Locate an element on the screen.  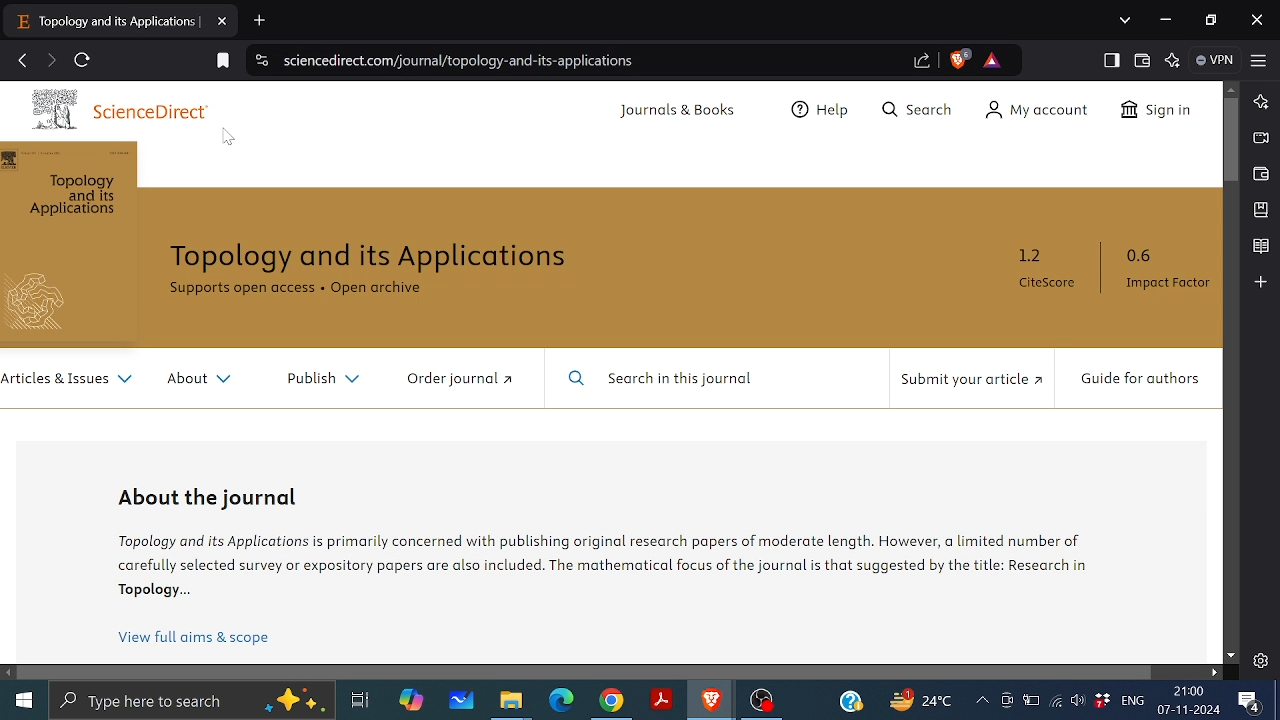
VPN is located at coordinates (1214, 60).